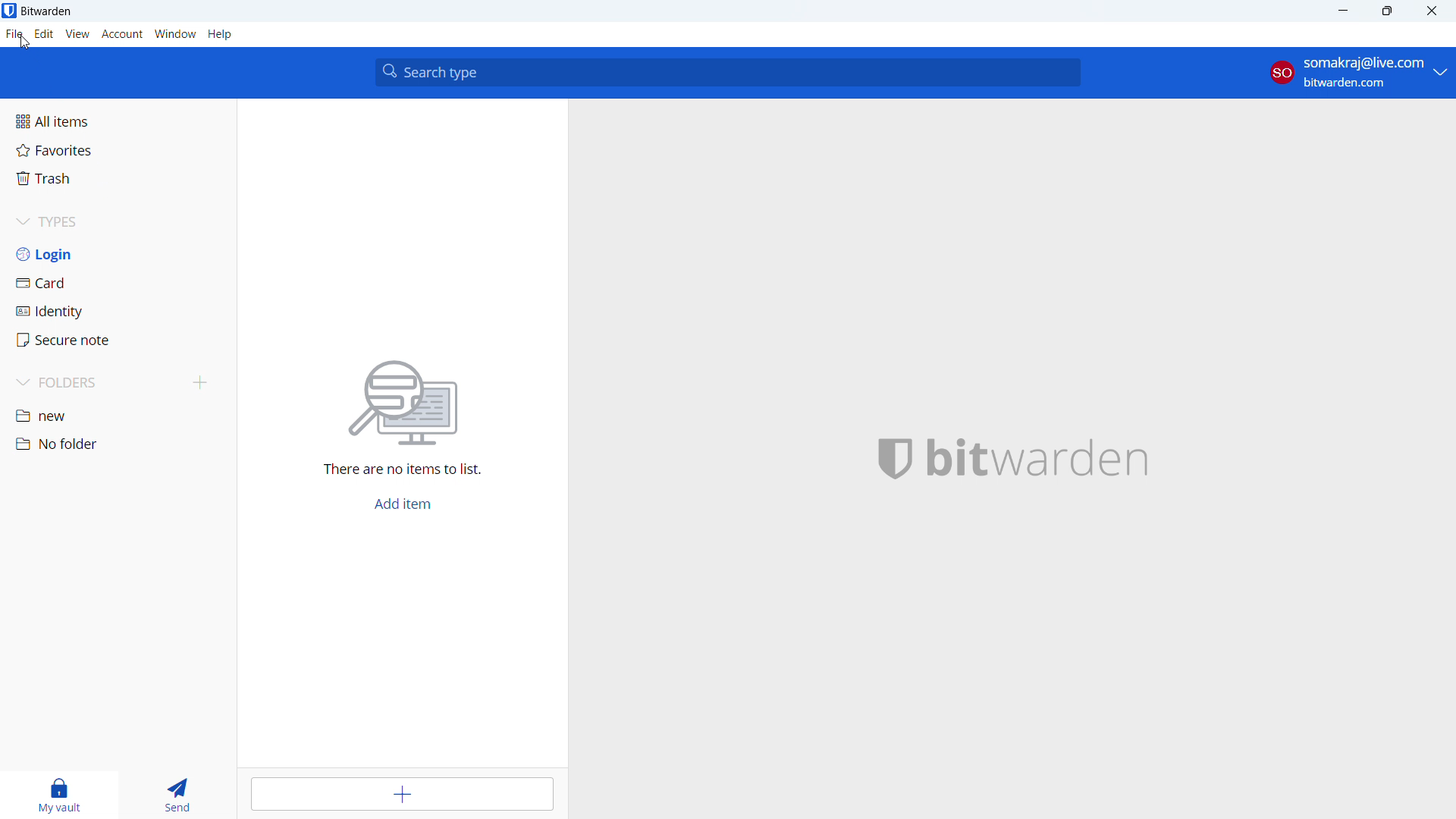 Image resolution: width=1456 pixels, height=819 pixels. I want to click on There are no items to list., so click(403, 472).